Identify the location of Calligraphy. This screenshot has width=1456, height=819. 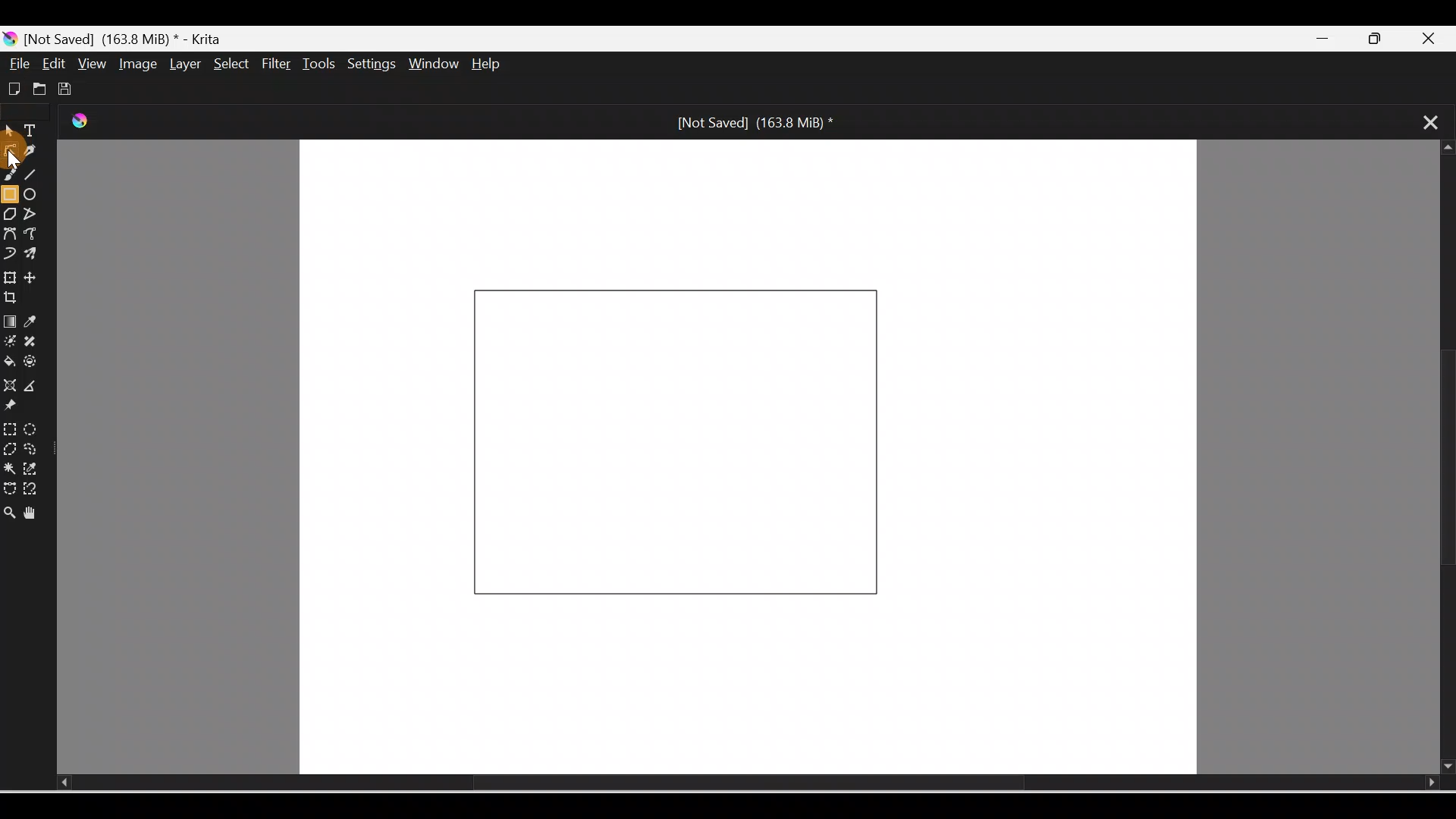
(32, 152).